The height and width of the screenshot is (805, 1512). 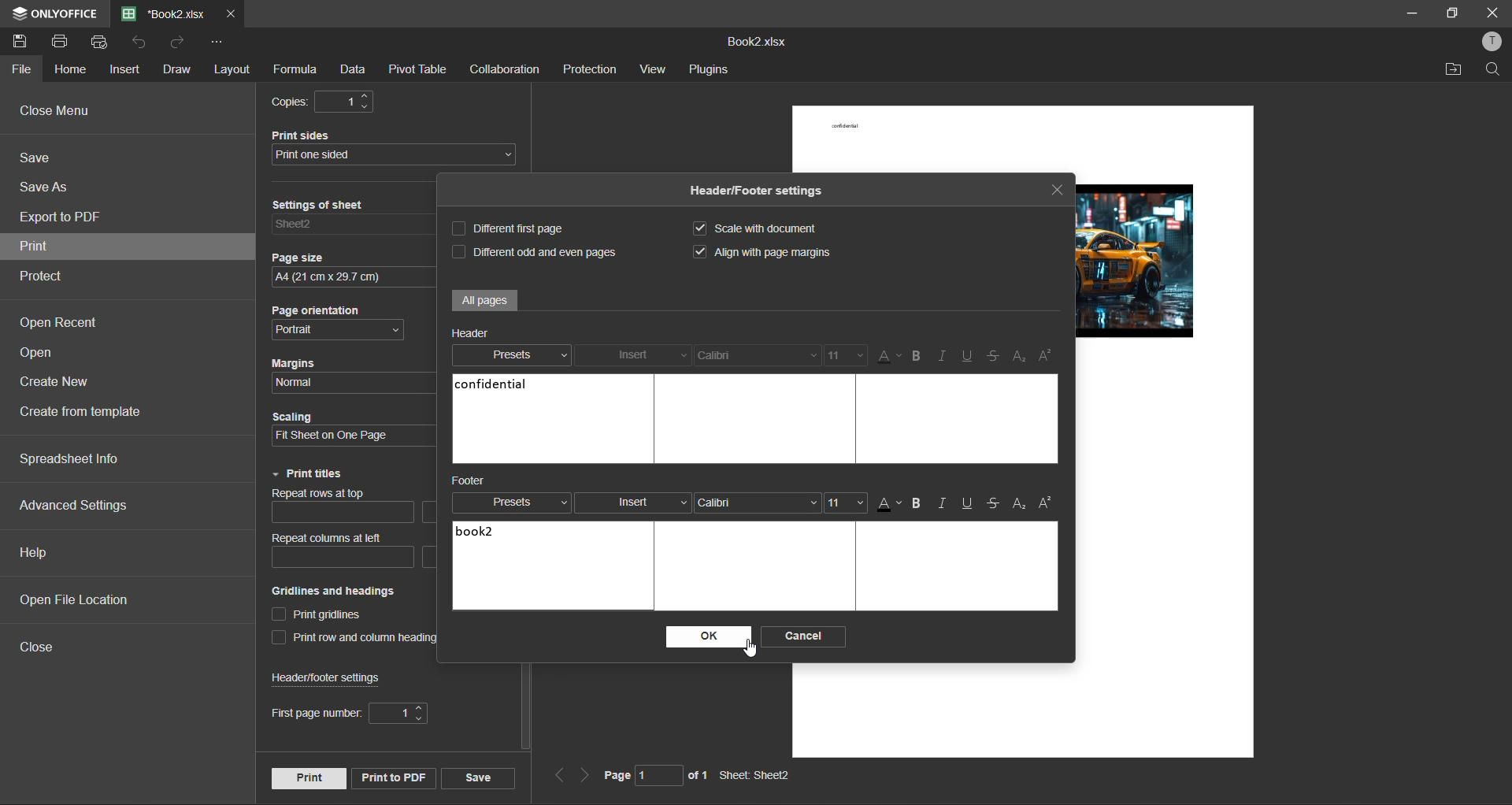 I want to click on spreadsheet info, so click(x=71, y=458).